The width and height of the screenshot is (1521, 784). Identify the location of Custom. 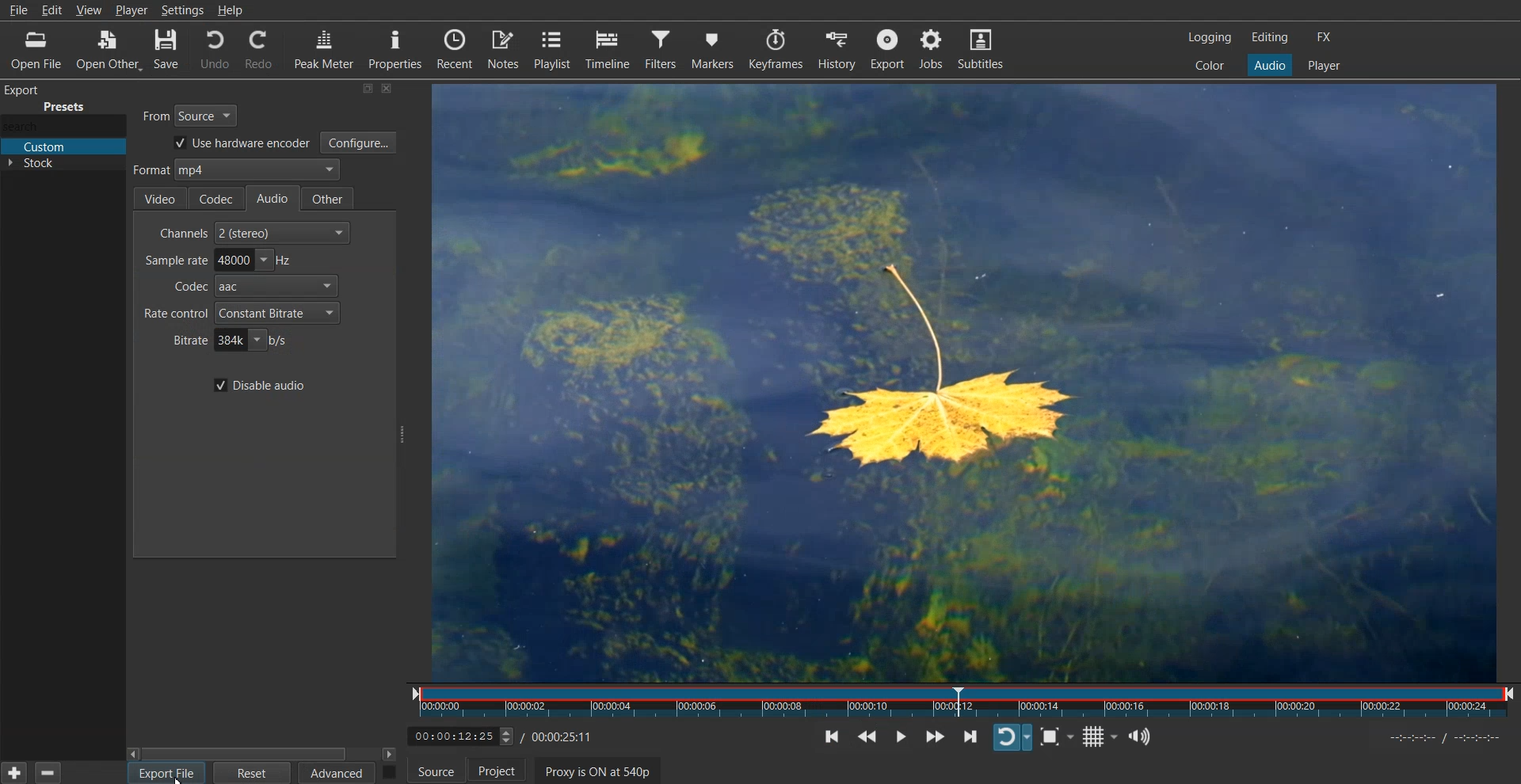
(63, 147).